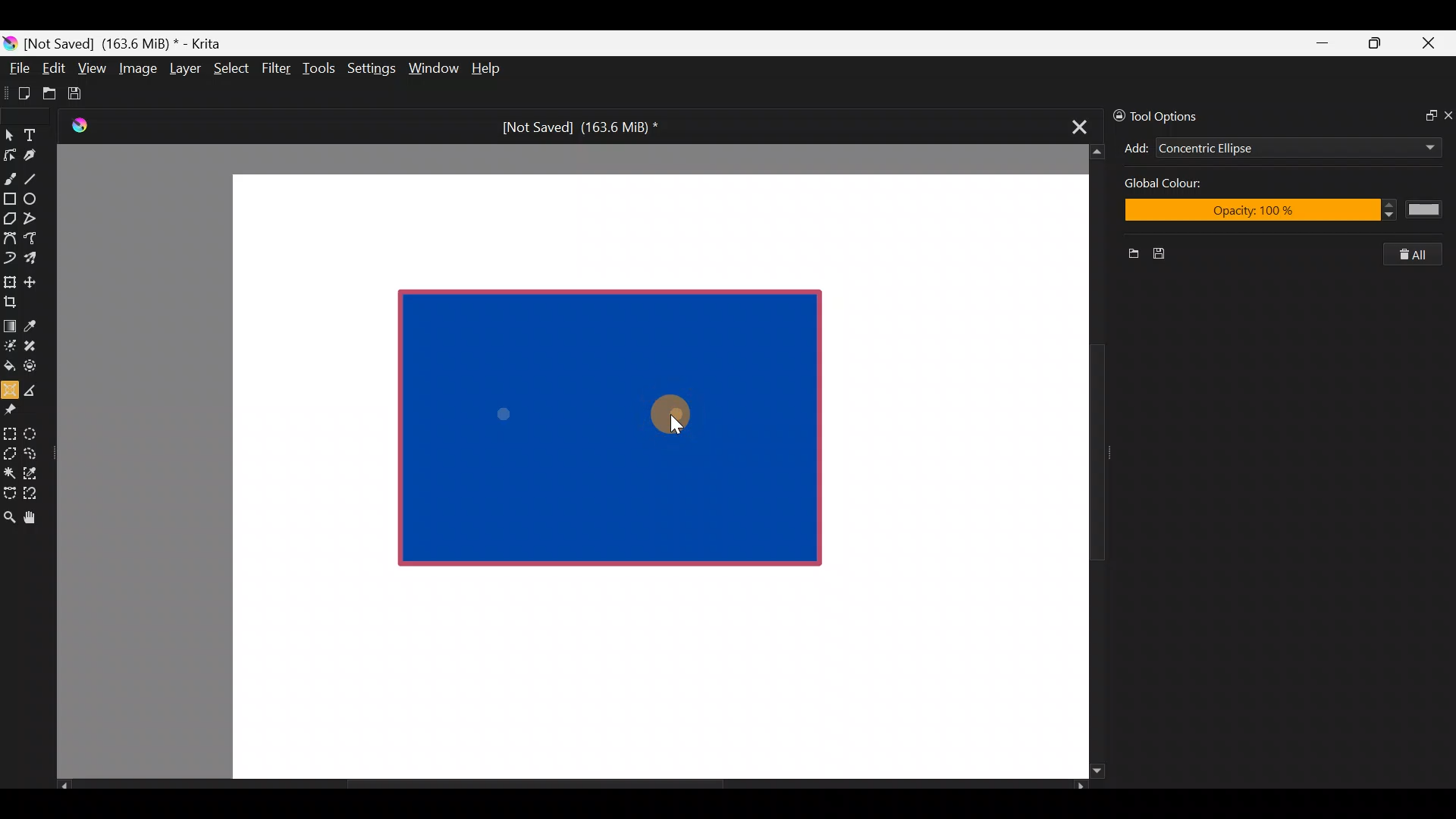 Image resolution: width=1456 pixels, height=819 pixels. Describe the element at coordinates (488, 70) in the screenshot. I see `Help` at that location.